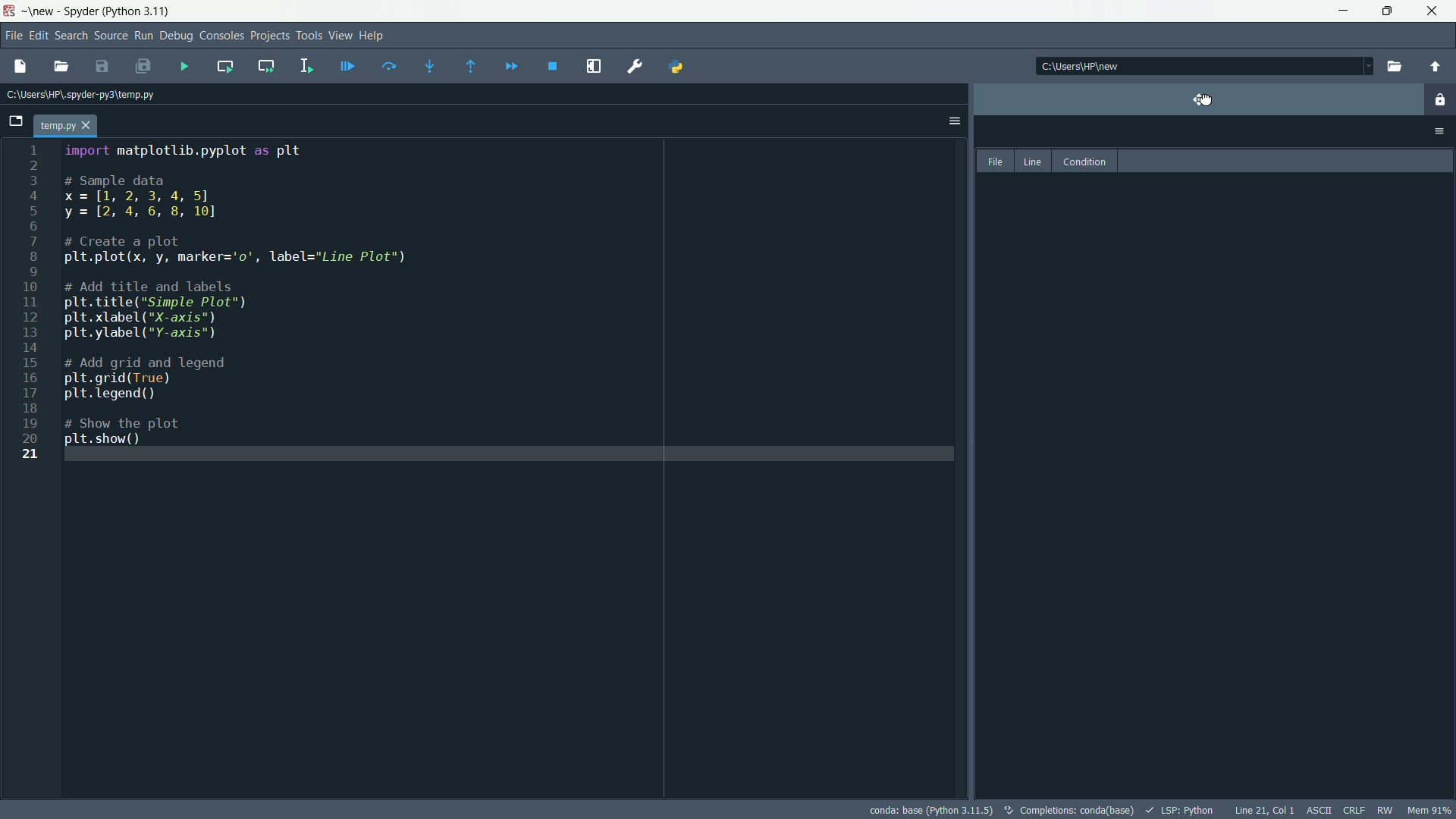 The height and width of the screenshot is (819, 1456). Describe the element at coordinates (1341, 11) in the screenshot. I see `minimize app` at that location.